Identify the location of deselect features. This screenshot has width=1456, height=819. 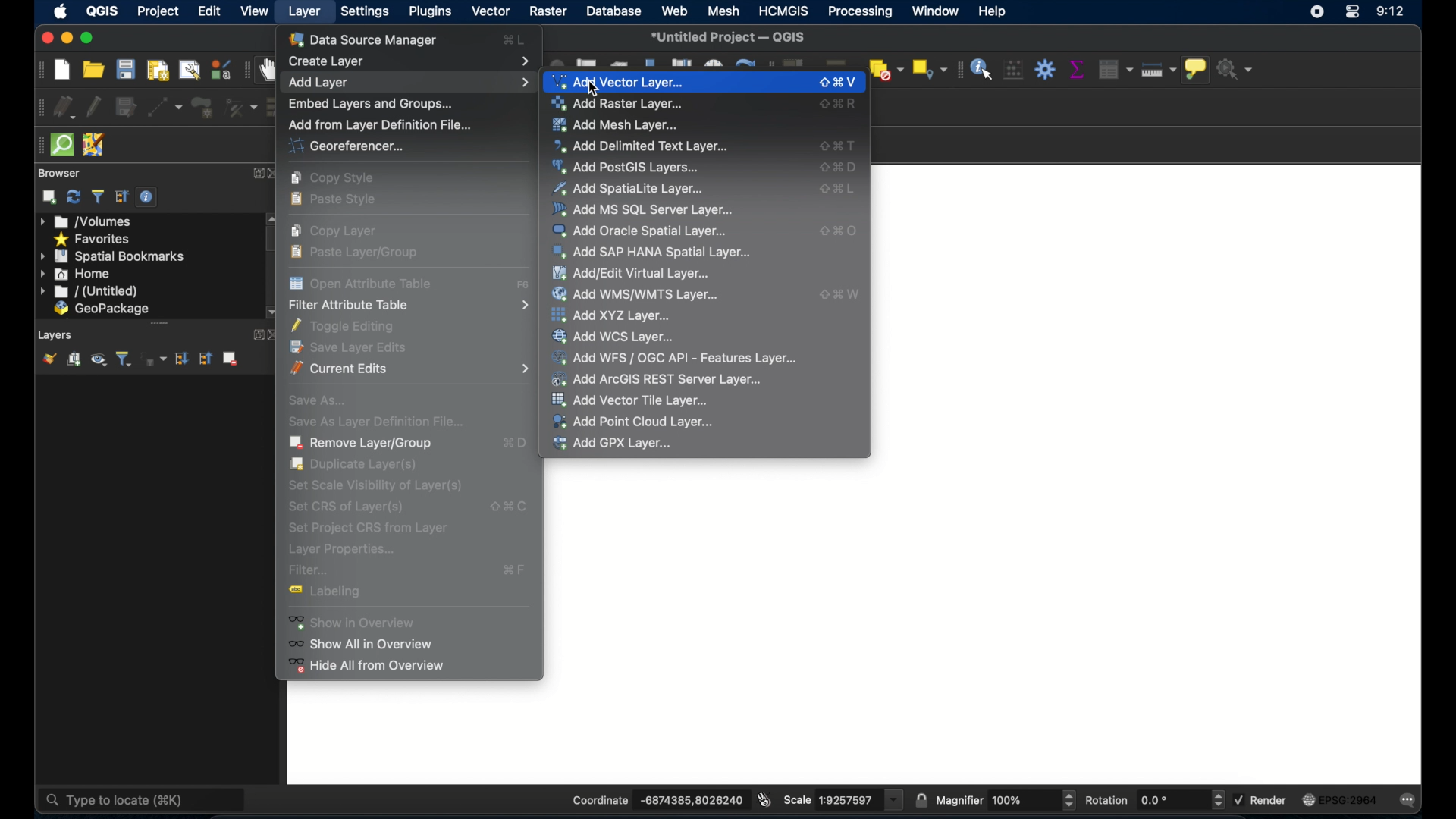
(886, 67).